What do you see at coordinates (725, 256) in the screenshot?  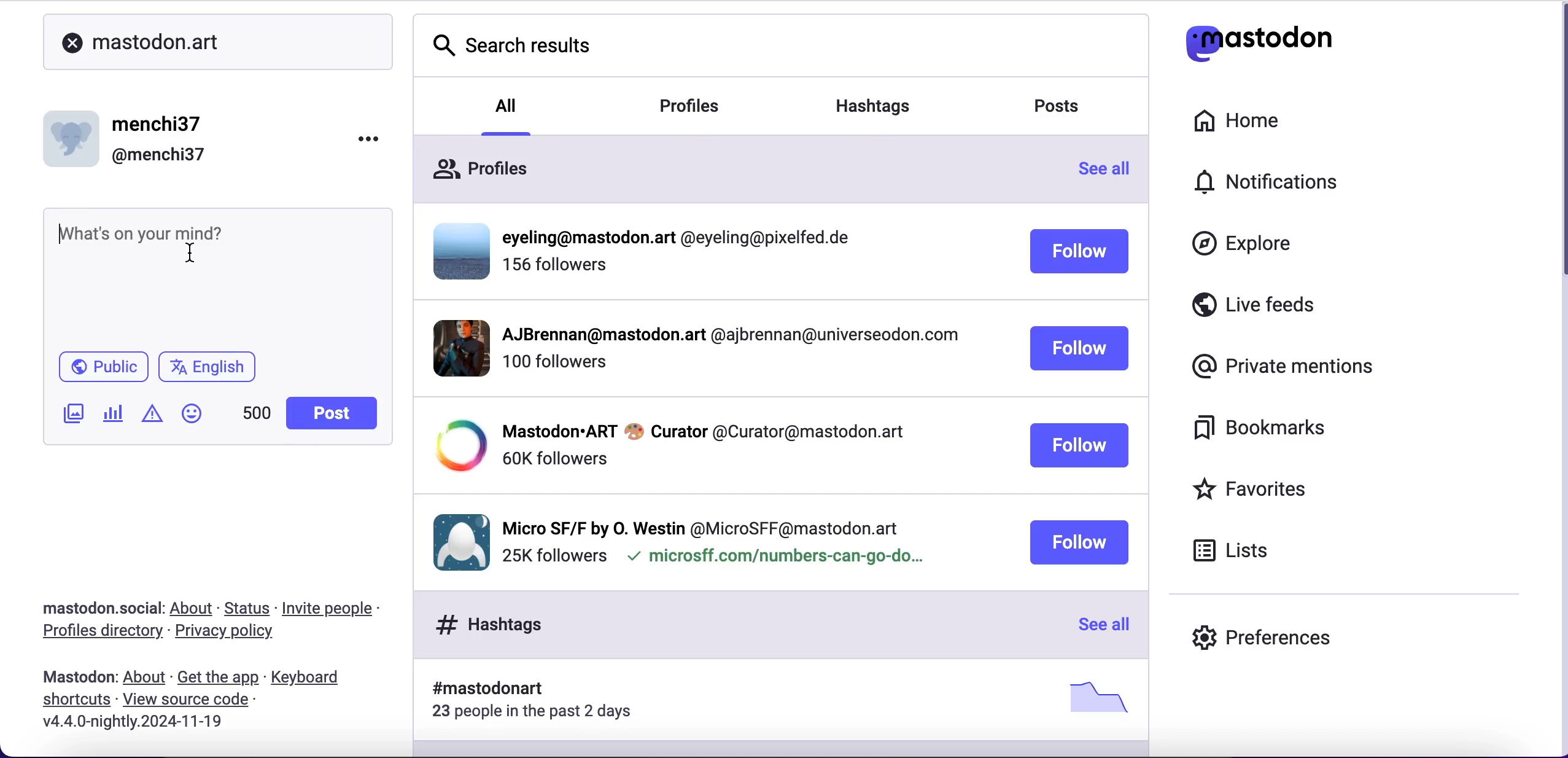 I see `user profile` at bounding box center [725, 256].